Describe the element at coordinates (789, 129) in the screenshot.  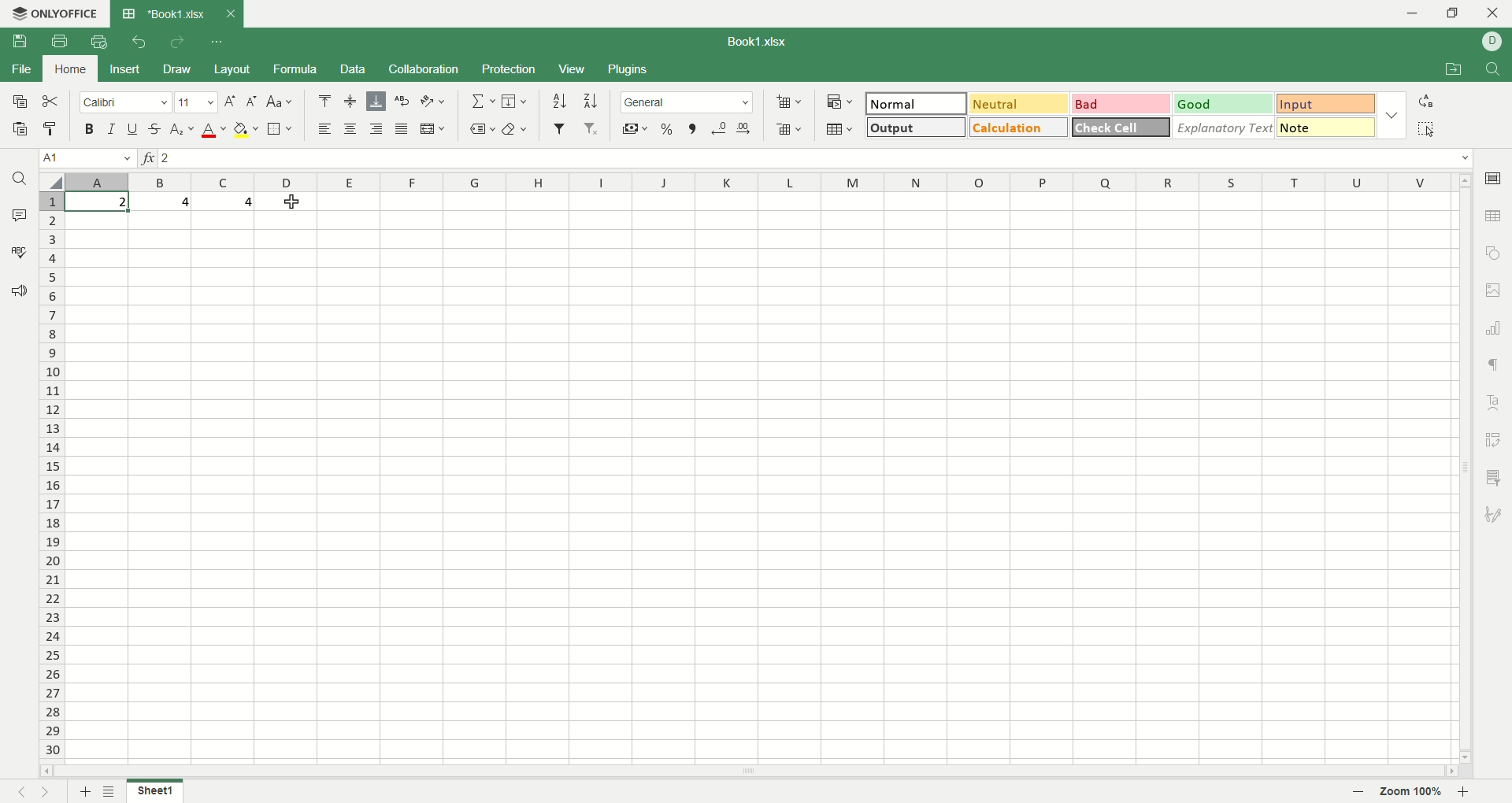
I see `delete cells` at that location.